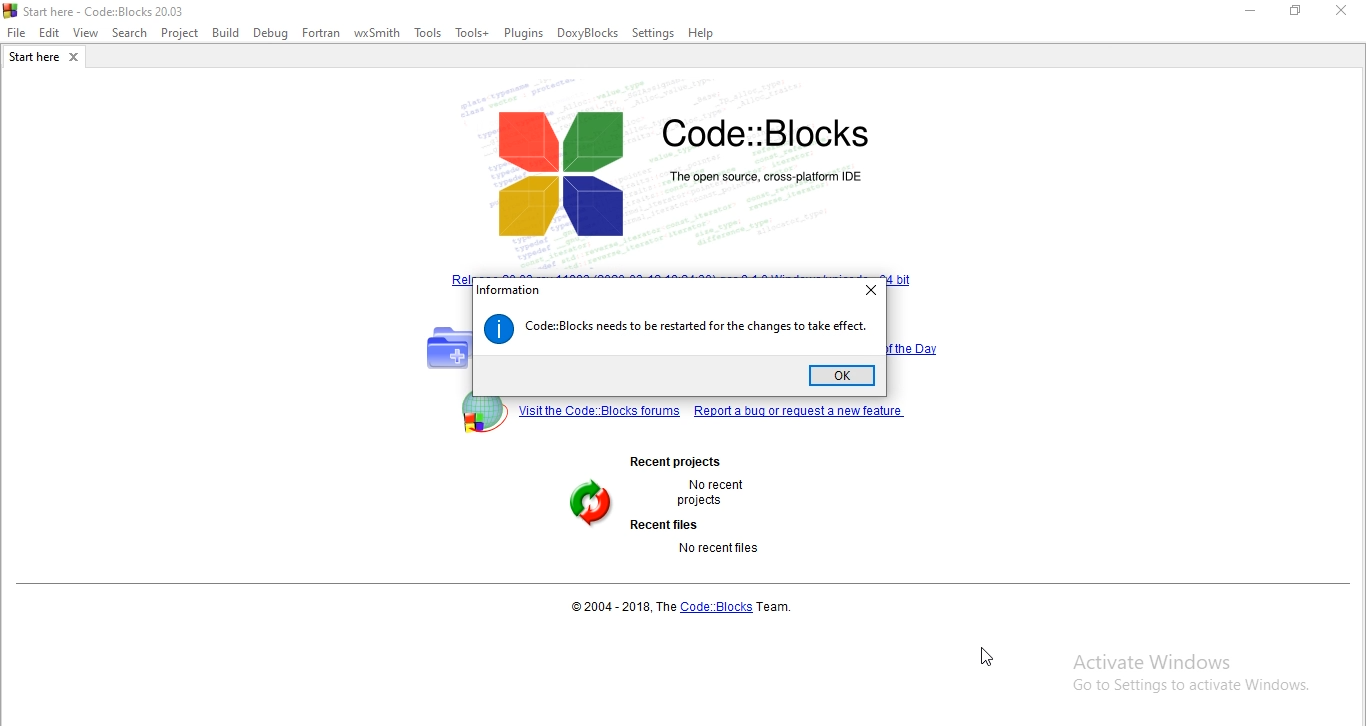 This screenshot has width=1366, height=726. I want to click on Visitthe CodeBlocks forums, so click(596, 411).